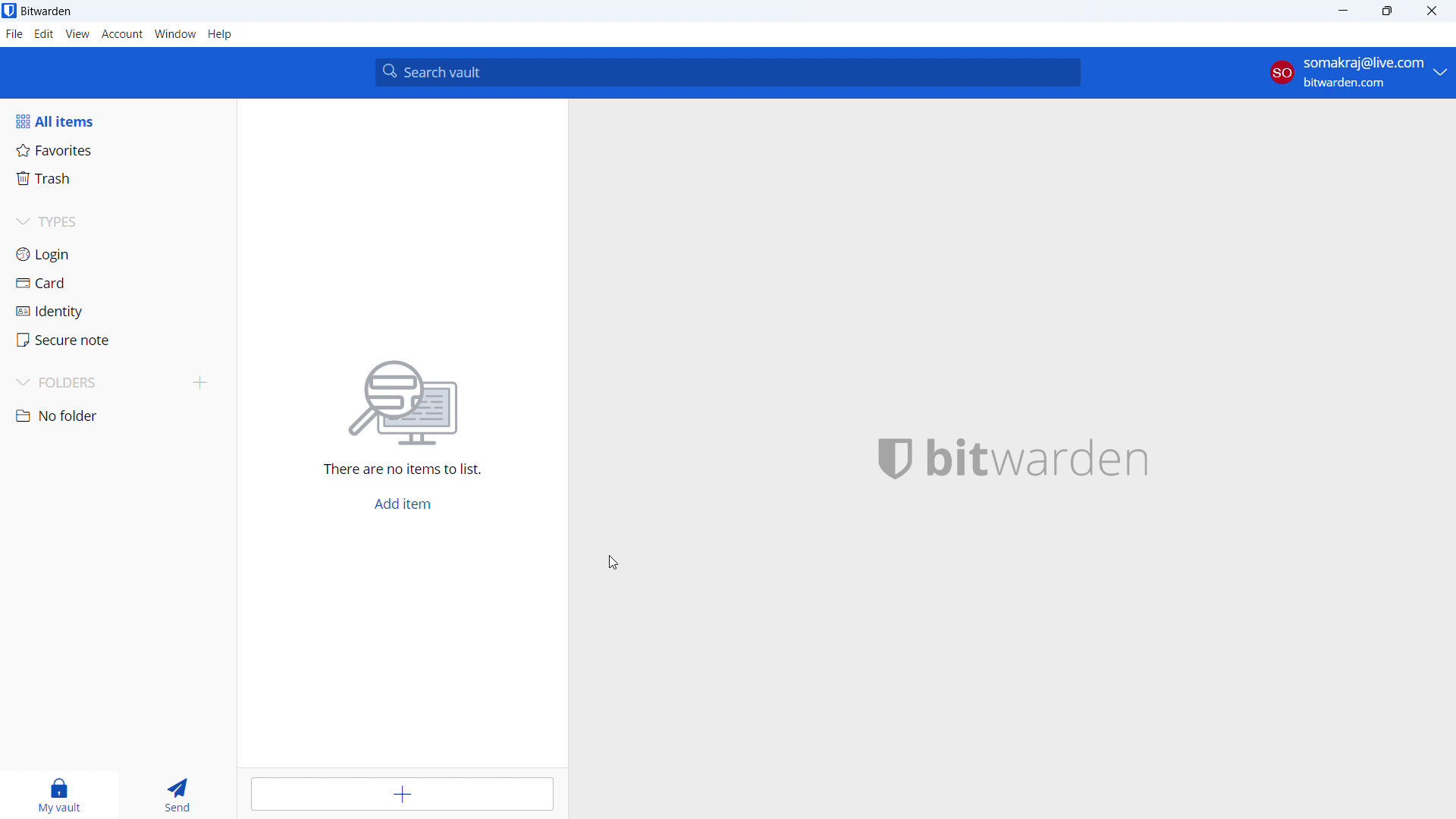 This screenshot has height=819, width=1456. I want to click on card, so click(115, 282).